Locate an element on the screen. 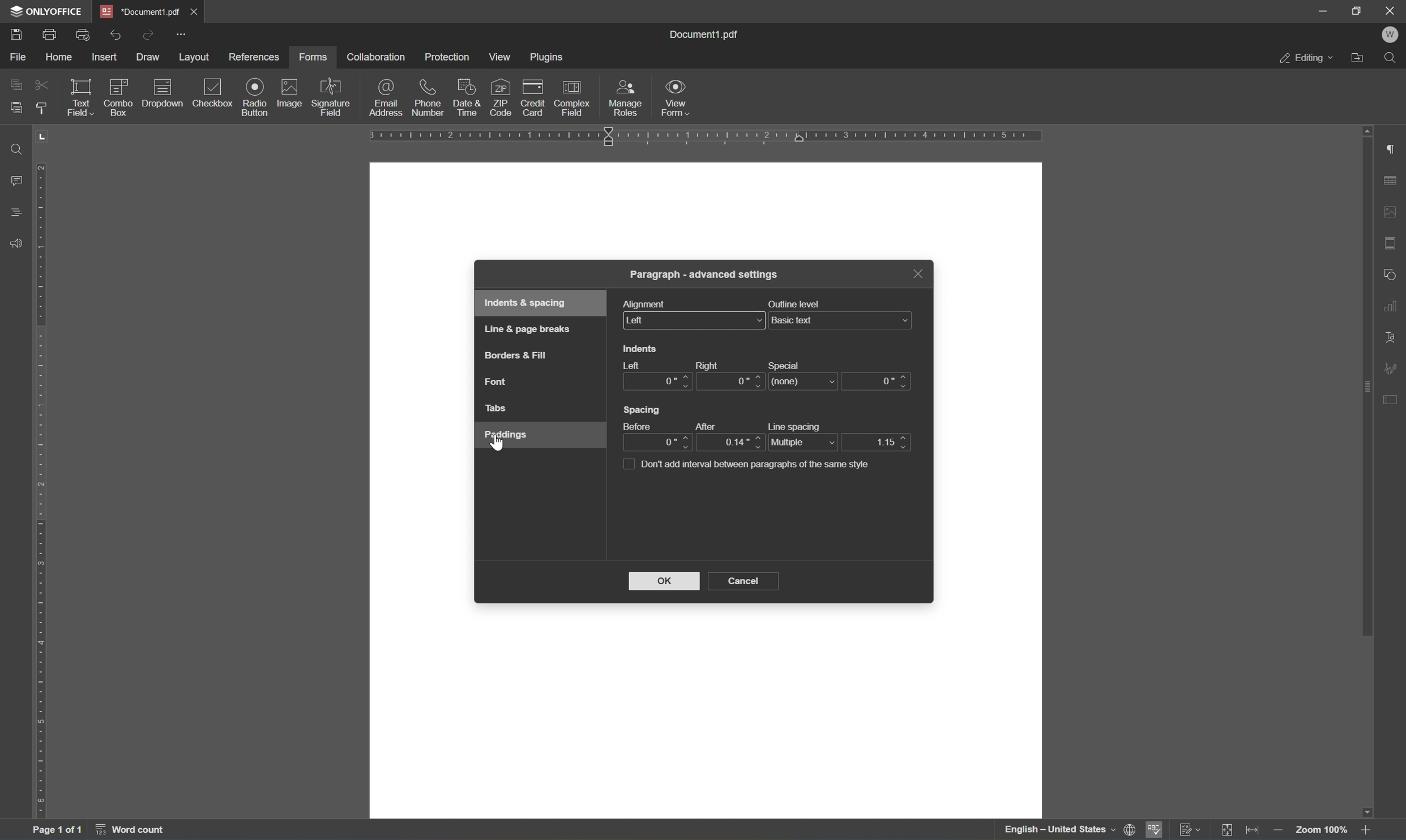 The height and width of the screenshot is (840, 1406). track changes is located at coordinates (1192, 830).